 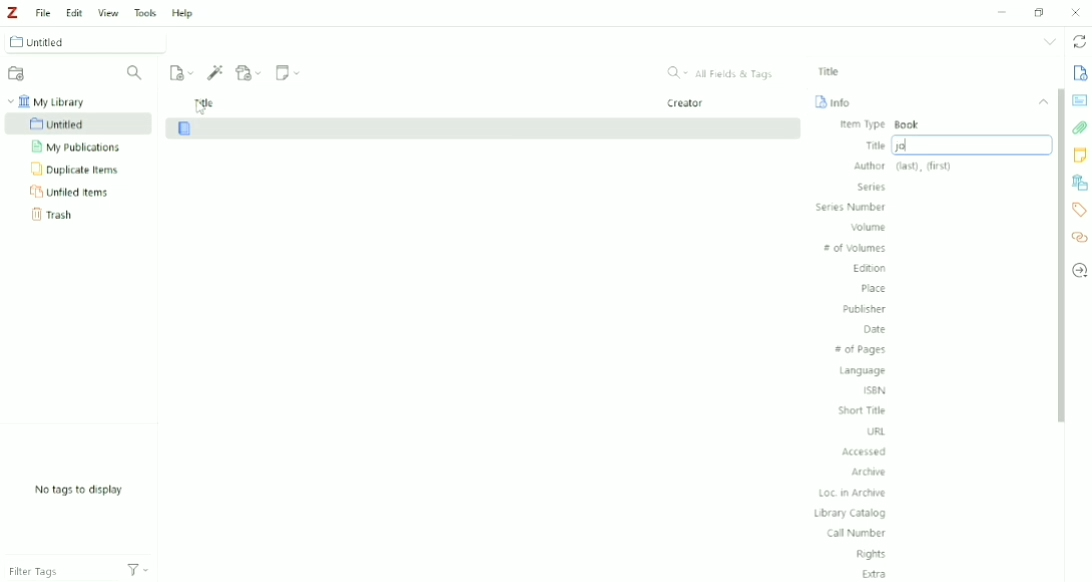 I want to click on Tags, so click(x=1080, y=210).